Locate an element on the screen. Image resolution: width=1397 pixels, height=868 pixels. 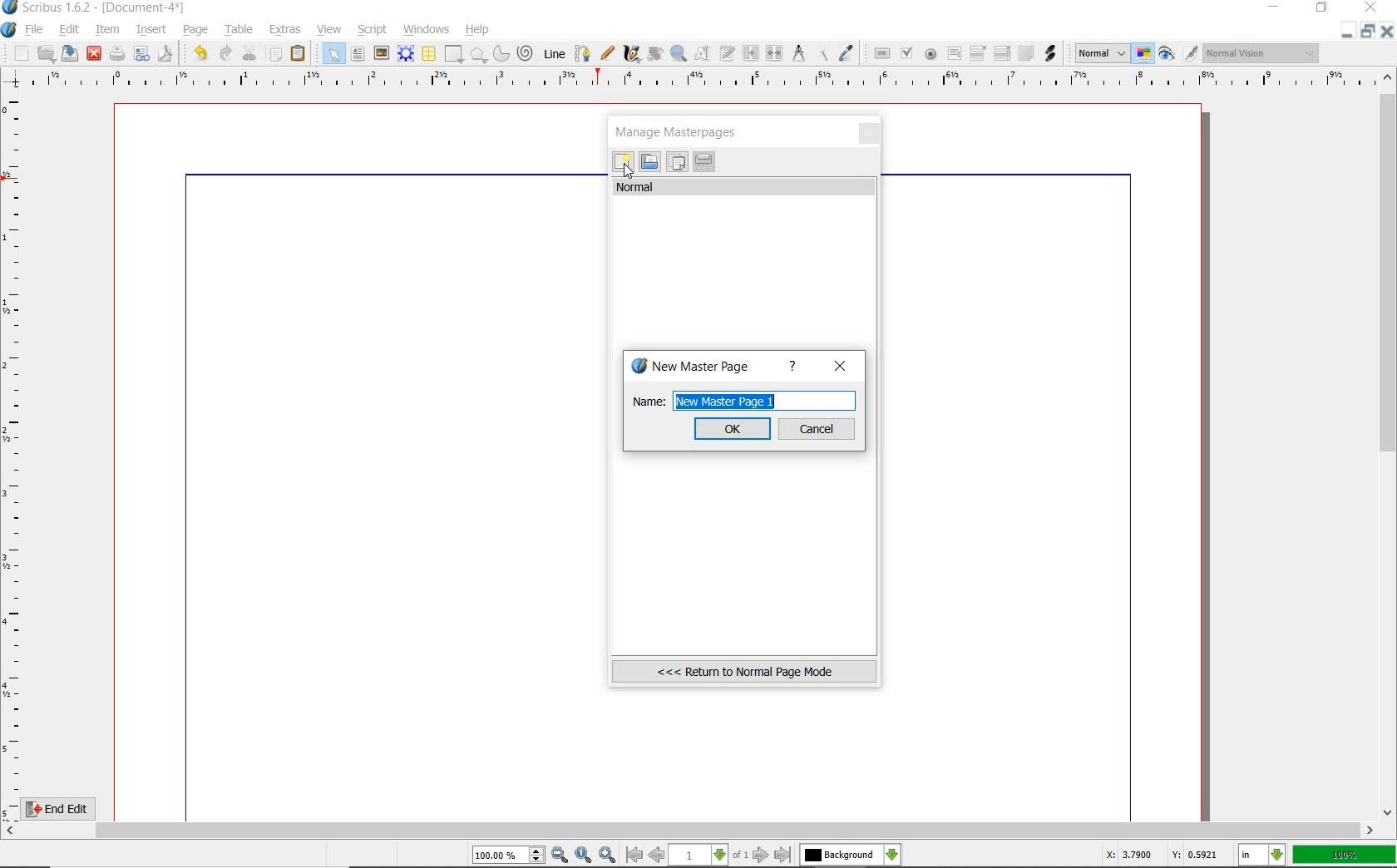
spiral is located at coordinates (526, 53).